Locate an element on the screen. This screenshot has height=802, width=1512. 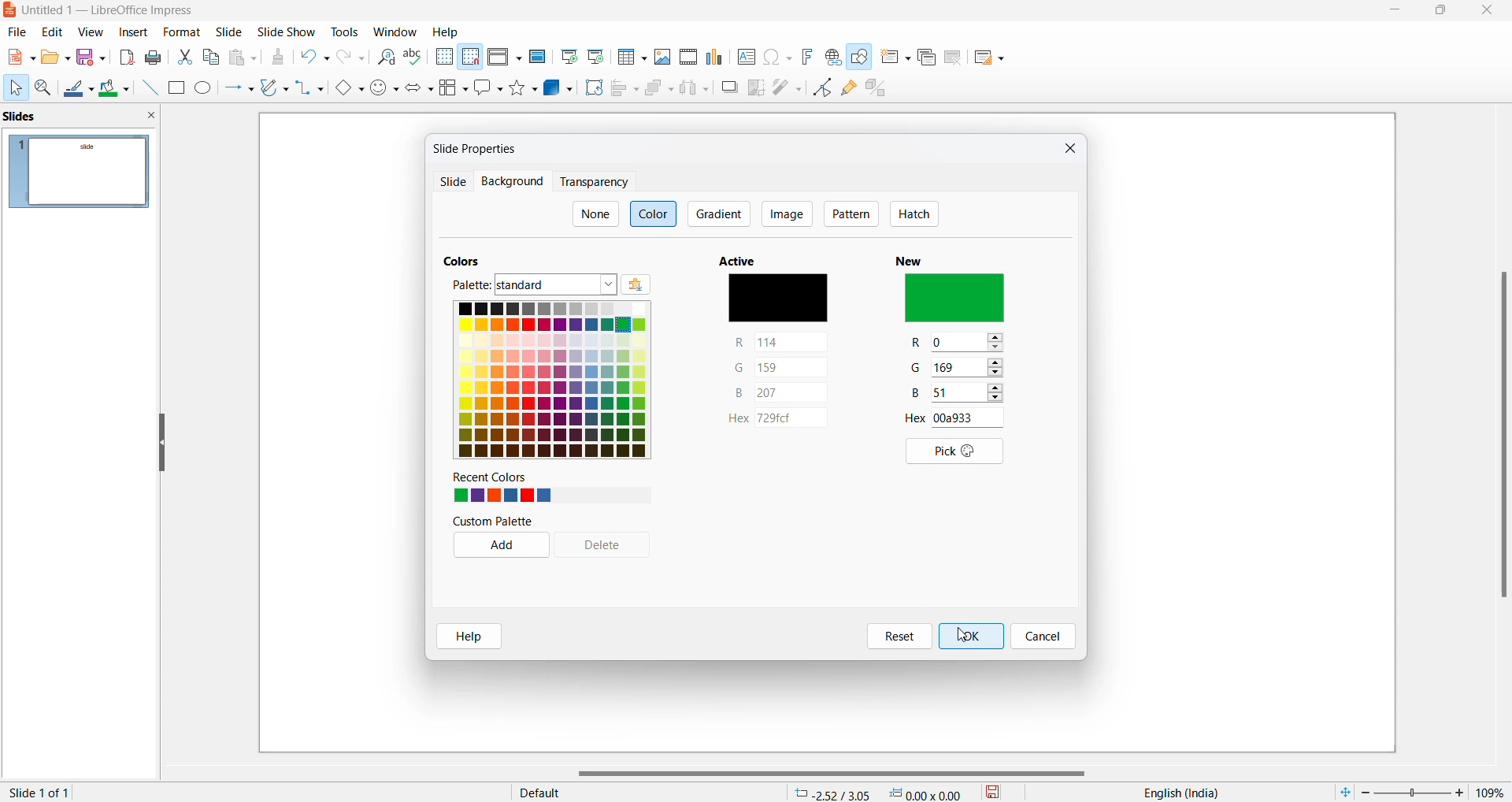
file name is located at coordinates (103, 12).